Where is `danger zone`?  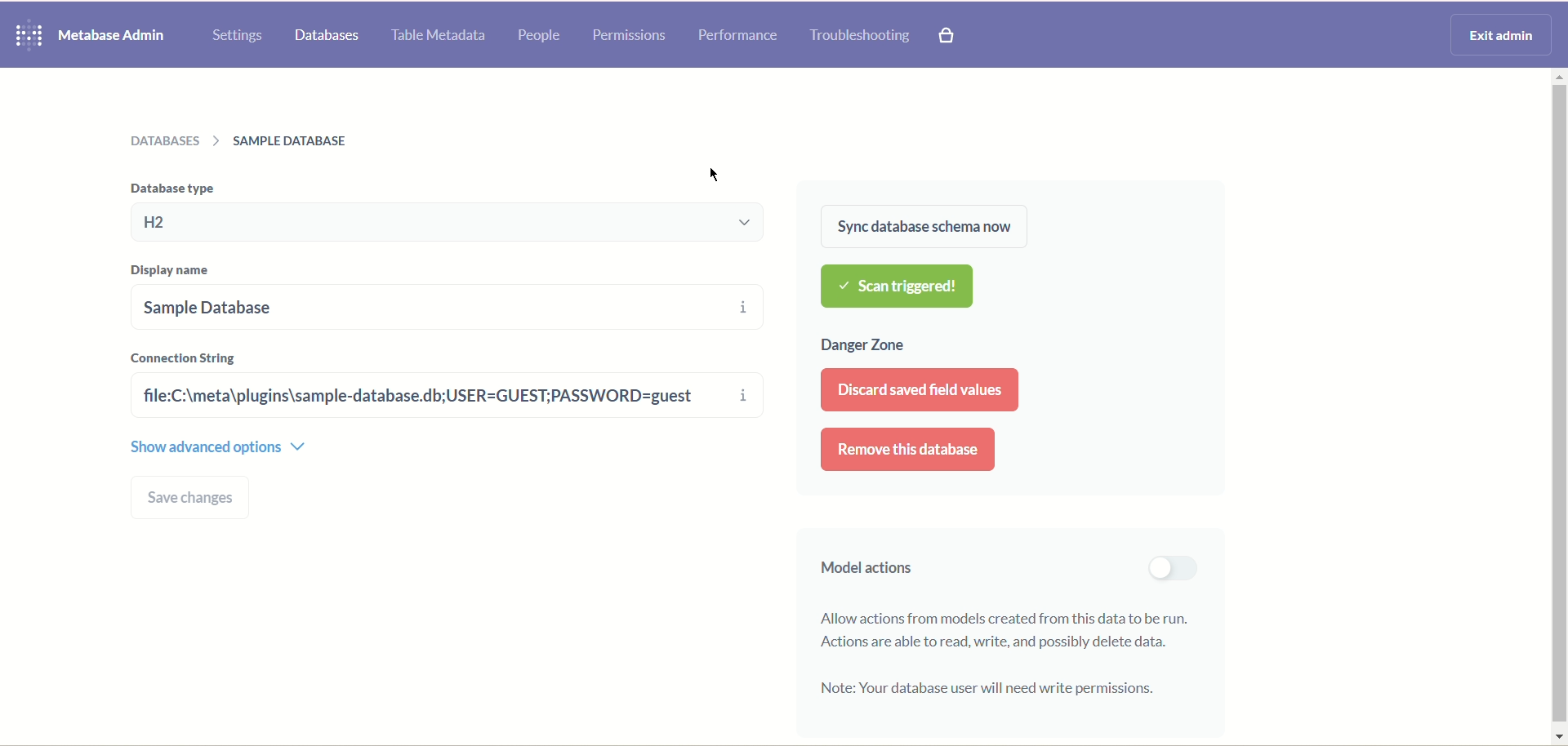
danger zone is located at coordinates (864, 347).